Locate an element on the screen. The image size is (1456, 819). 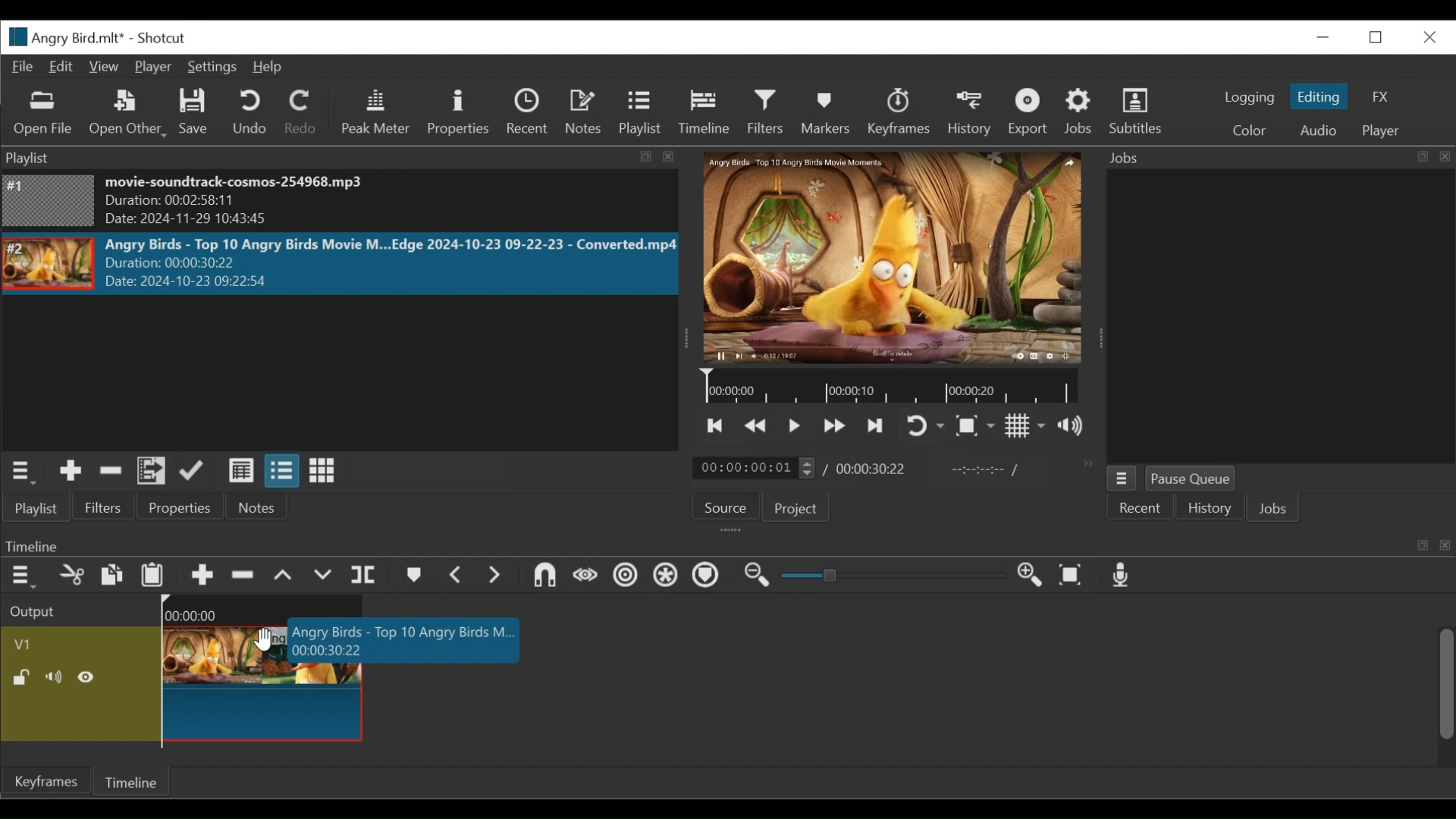
Paste is located at coordinates (153, 575).